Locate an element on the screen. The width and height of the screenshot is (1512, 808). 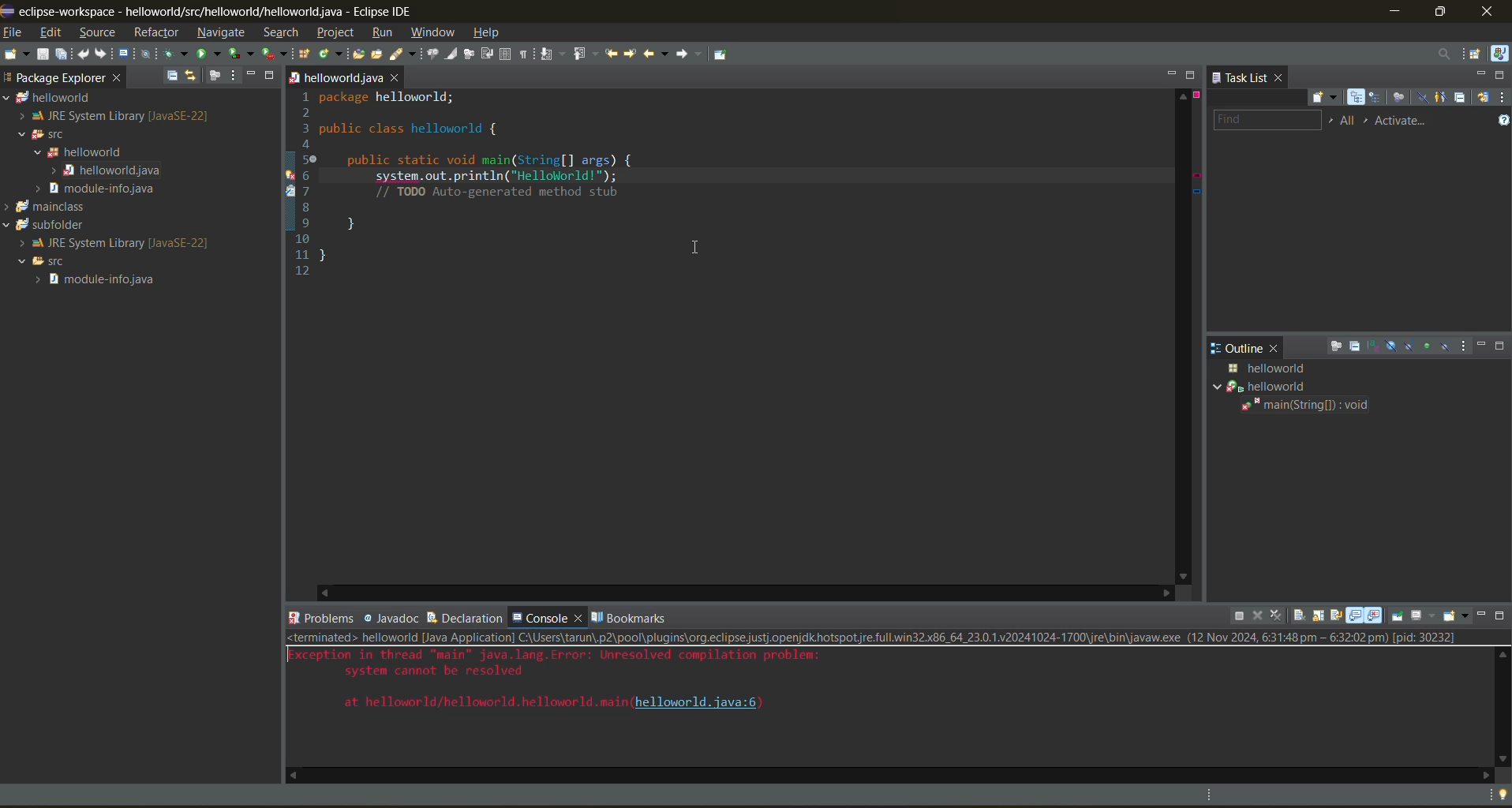
coverage is located at coordinates (241, 55).